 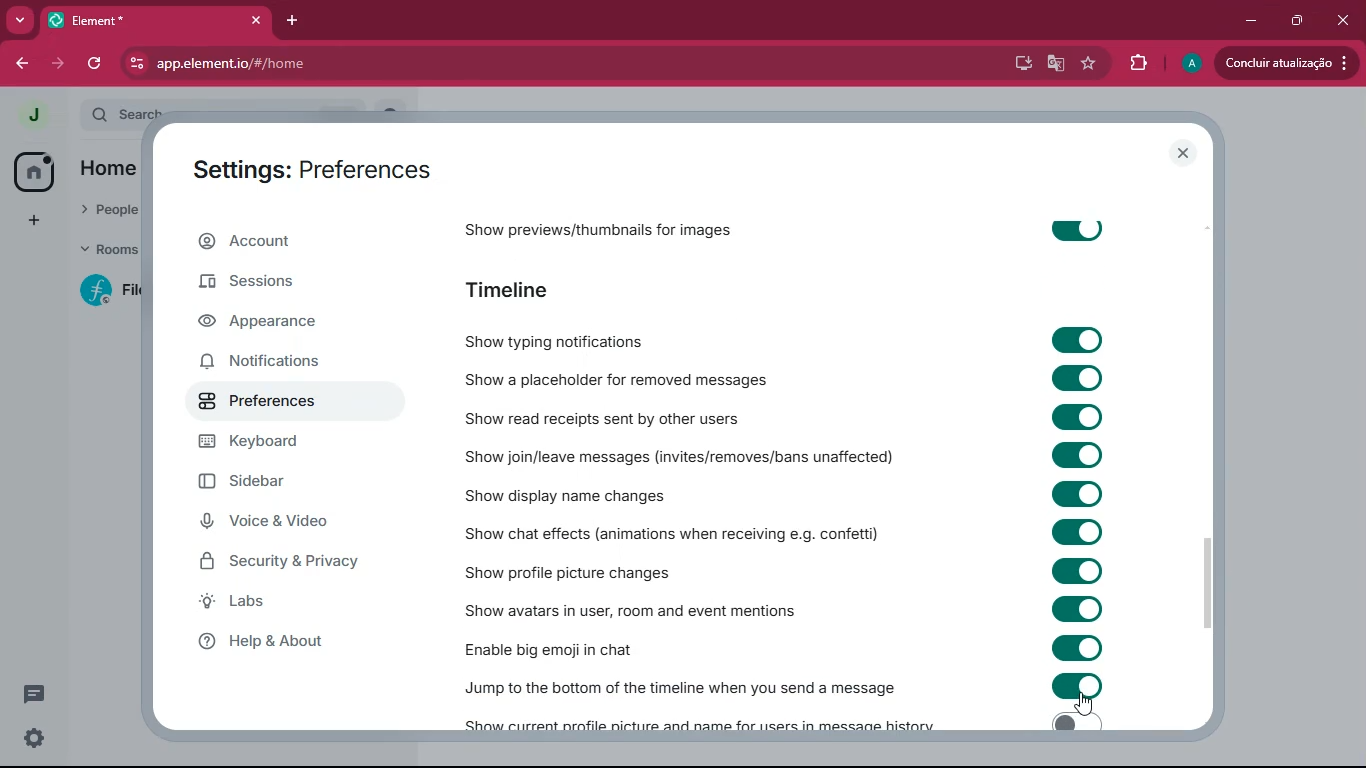 What do you see at coordinates (283, 285) in the screenshot?
I see `sessions` at bounding box center [283, 285].